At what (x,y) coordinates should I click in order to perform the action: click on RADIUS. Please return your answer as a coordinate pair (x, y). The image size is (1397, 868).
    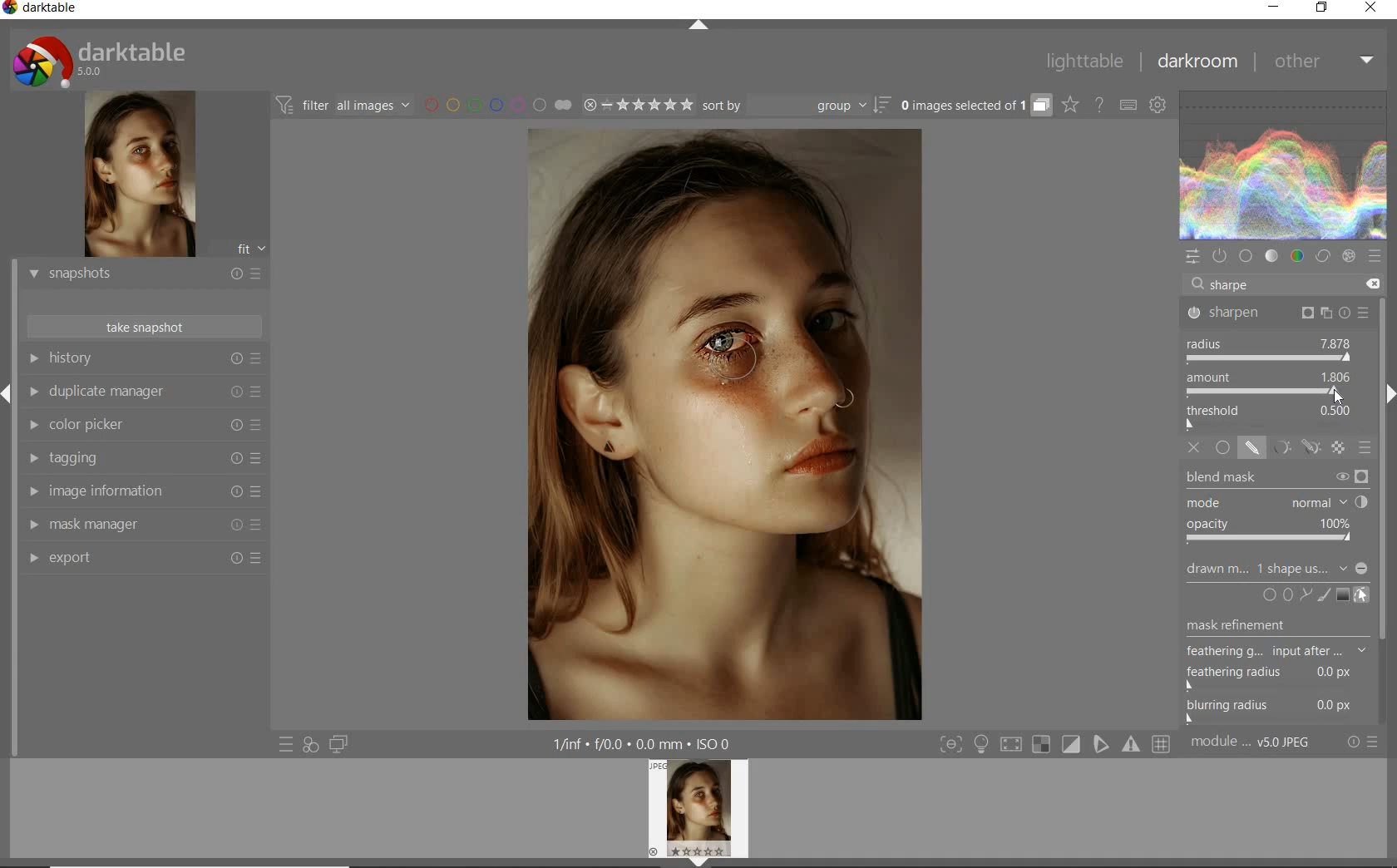
    Looking at the image, I should click on (1271, 350).